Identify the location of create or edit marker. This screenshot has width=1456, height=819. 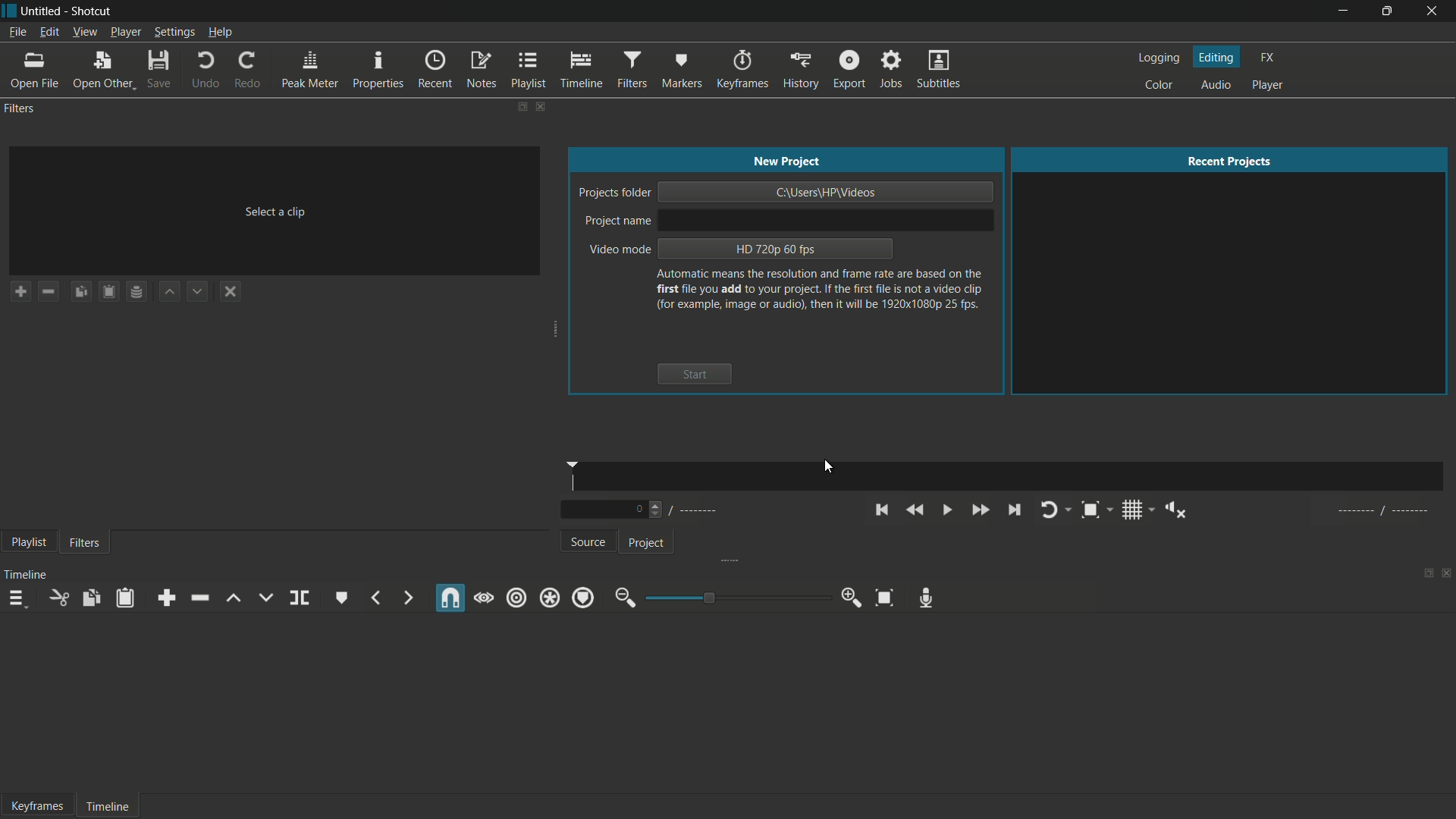
(339, 597).